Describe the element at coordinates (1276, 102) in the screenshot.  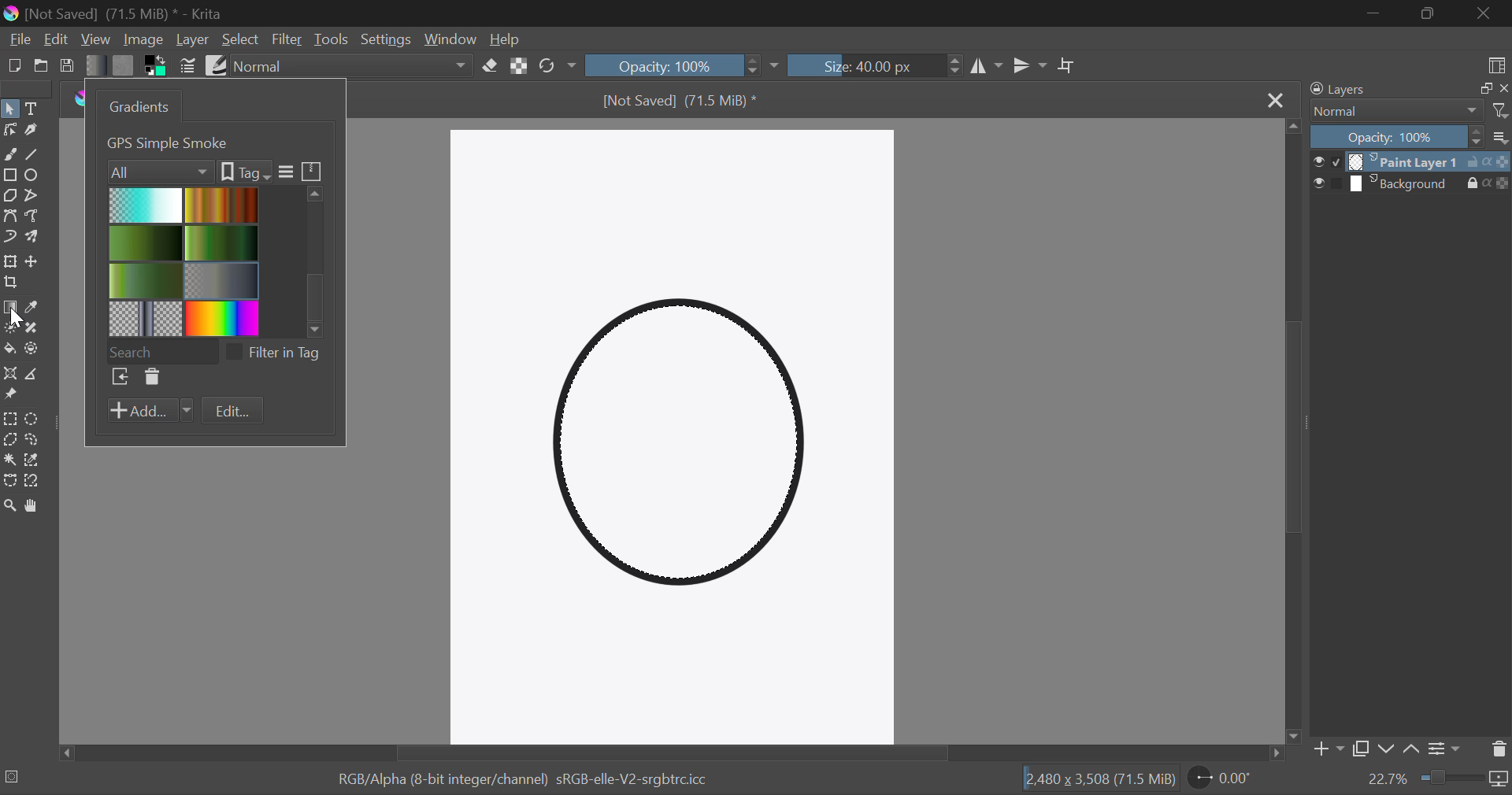
I see `Close` at that location.